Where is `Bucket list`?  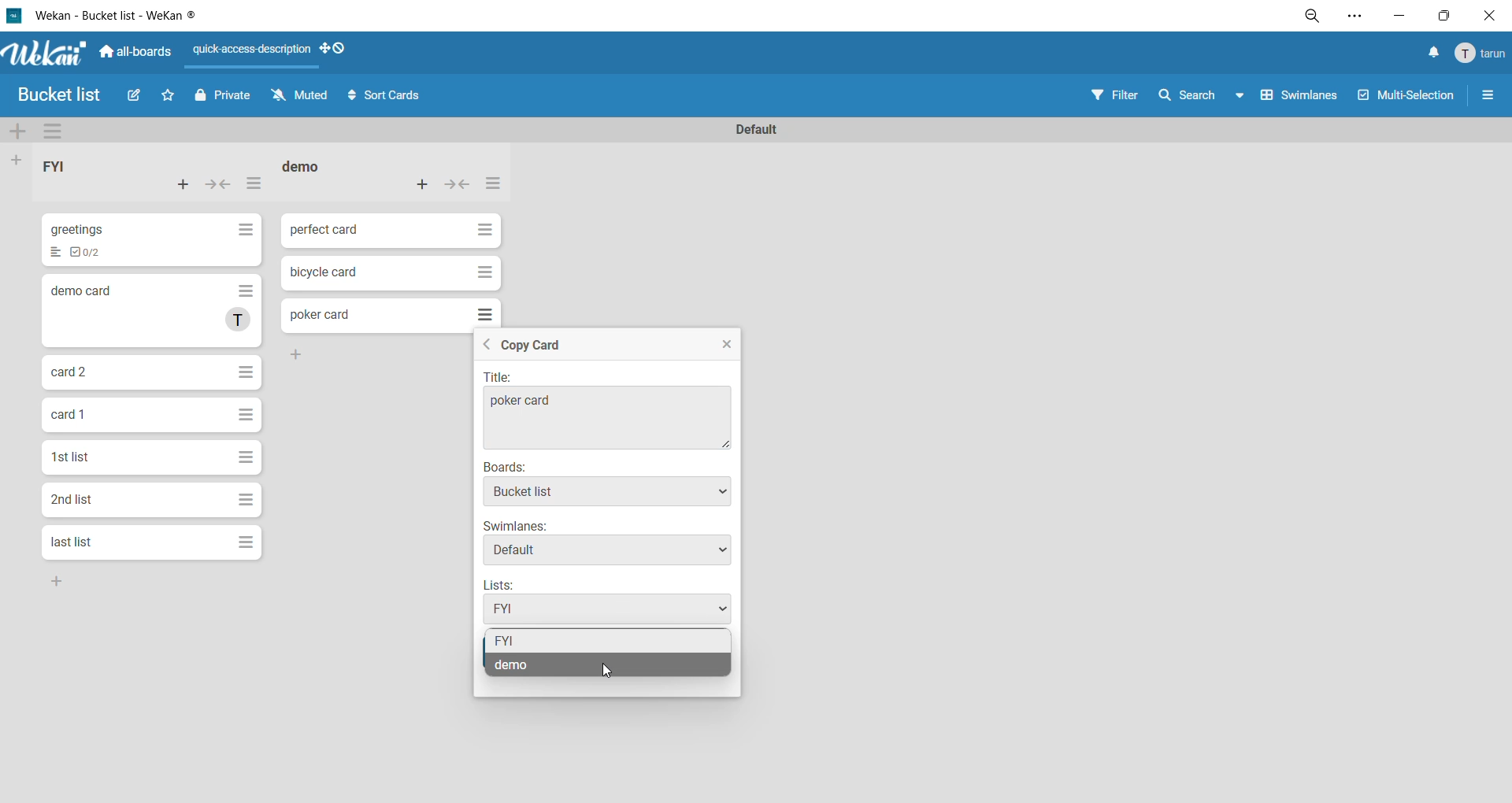
Bucket list is located at coordinates (604, 493).